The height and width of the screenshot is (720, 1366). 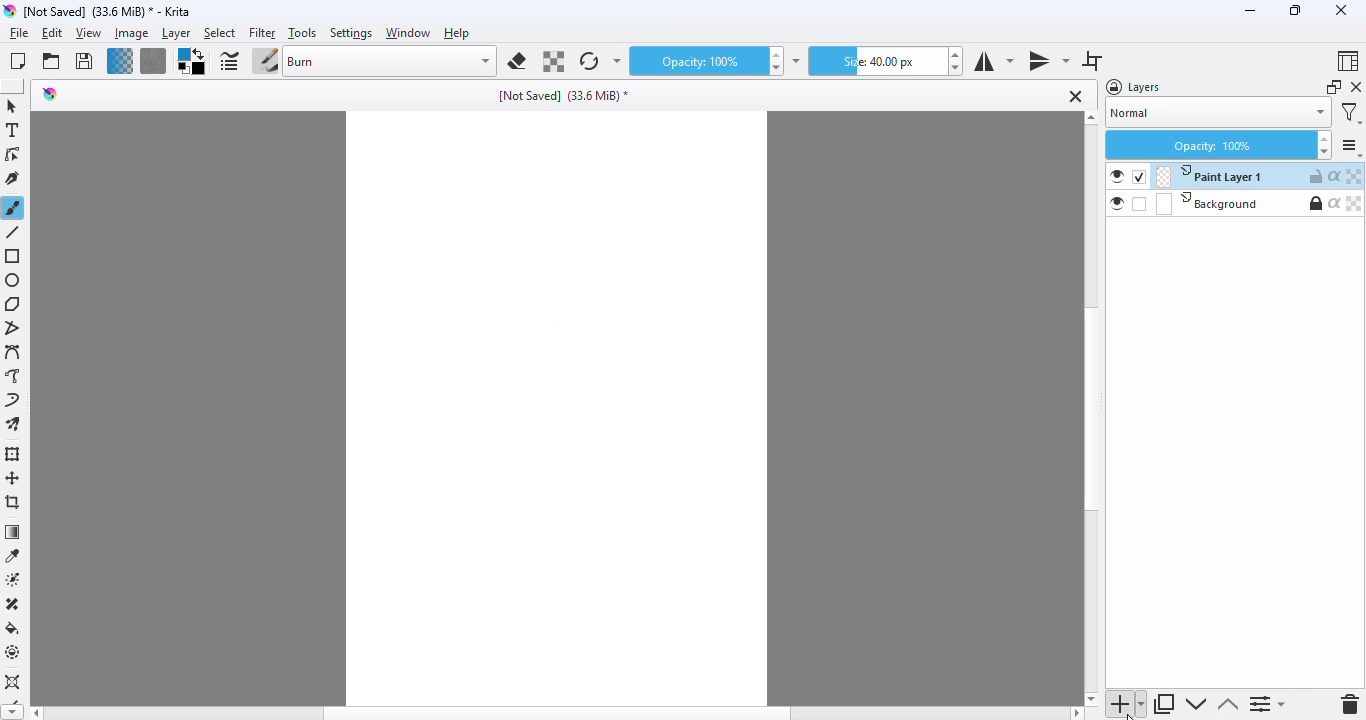 I want to click on filter, so click(x=262, y=33).